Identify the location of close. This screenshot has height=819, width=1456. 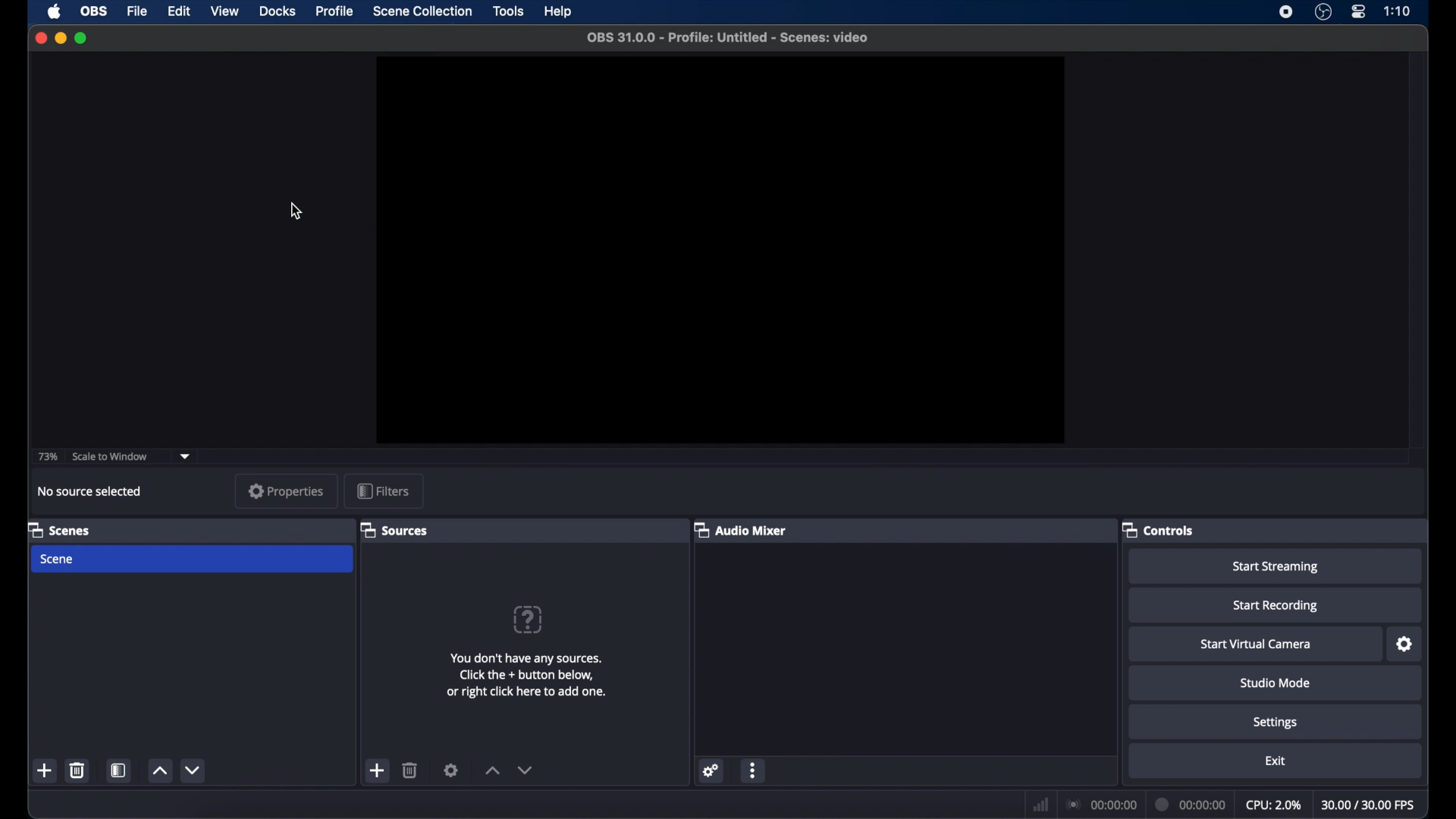
(40, 37).